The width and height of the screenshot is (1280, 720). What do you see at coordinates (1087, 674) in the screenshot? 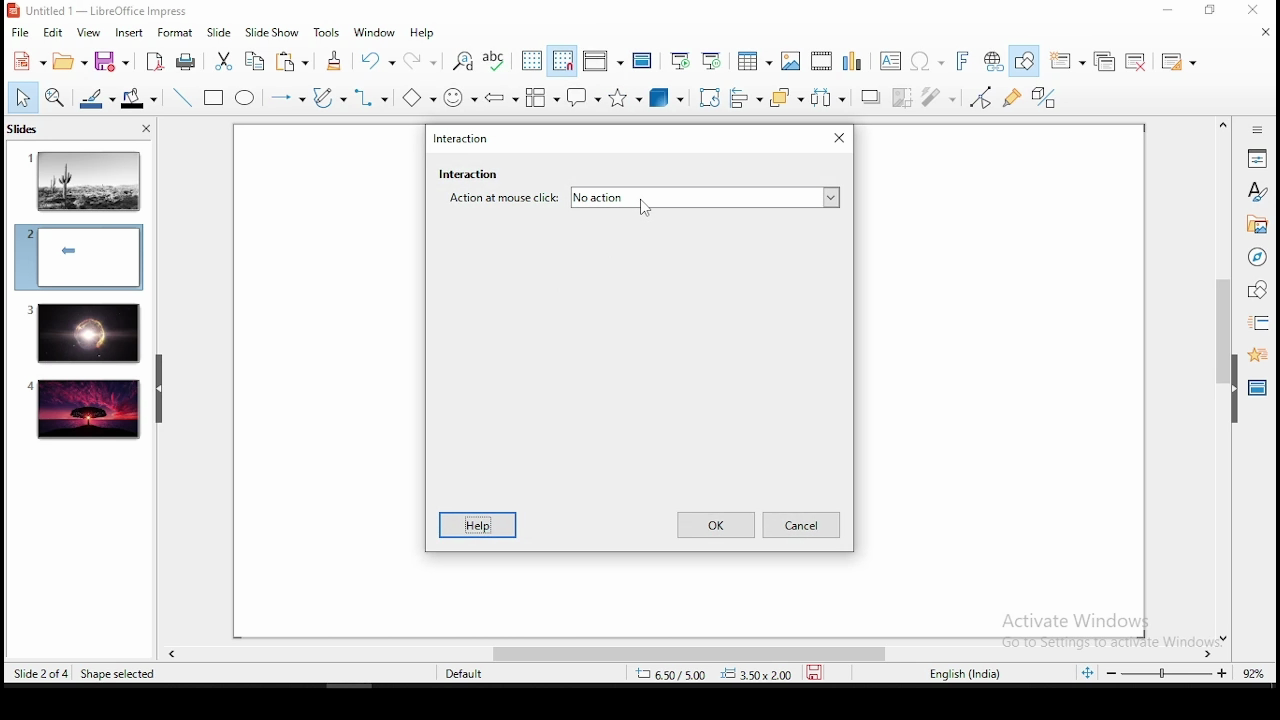
I see `fit to screen` at bounding box center [1087, 674].